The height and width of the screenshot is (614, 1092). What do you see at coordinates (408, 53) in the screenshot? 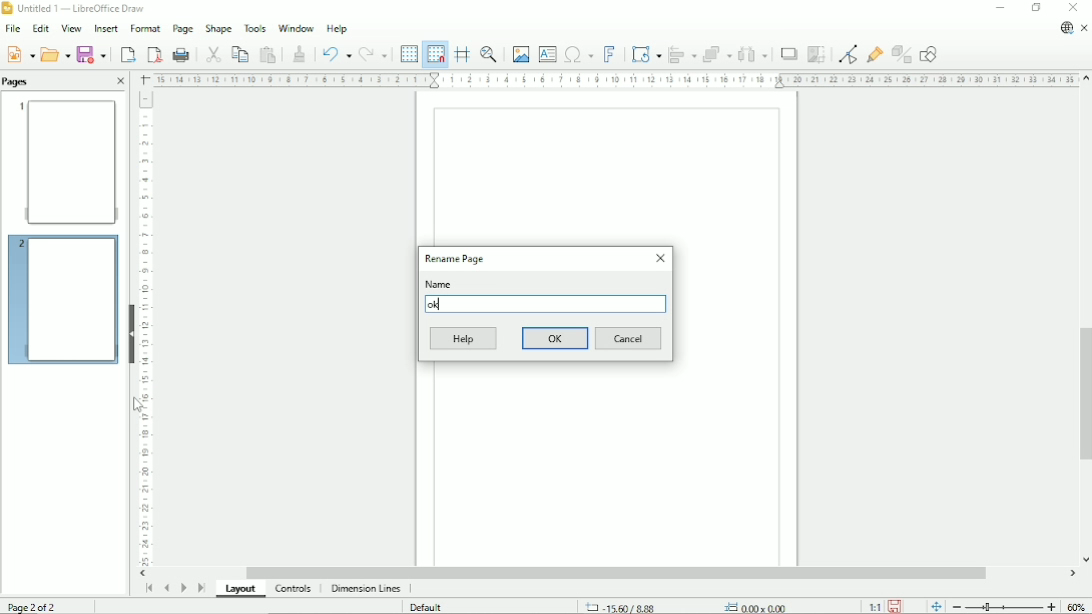
I see `Display grid` at bounding box center [408, 53].